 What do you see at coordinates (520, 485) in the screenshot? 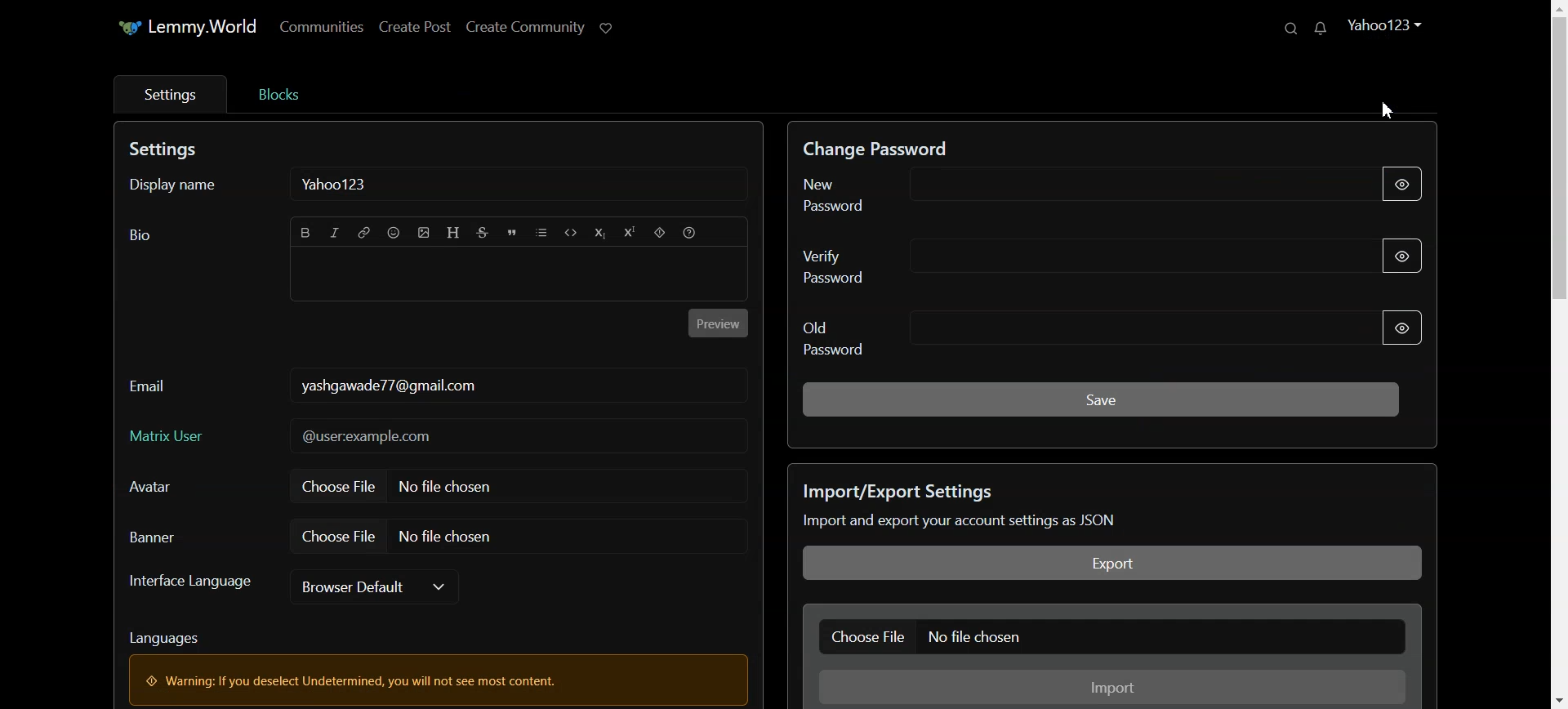
I see `Choose File` at bounding box center [520, 485].